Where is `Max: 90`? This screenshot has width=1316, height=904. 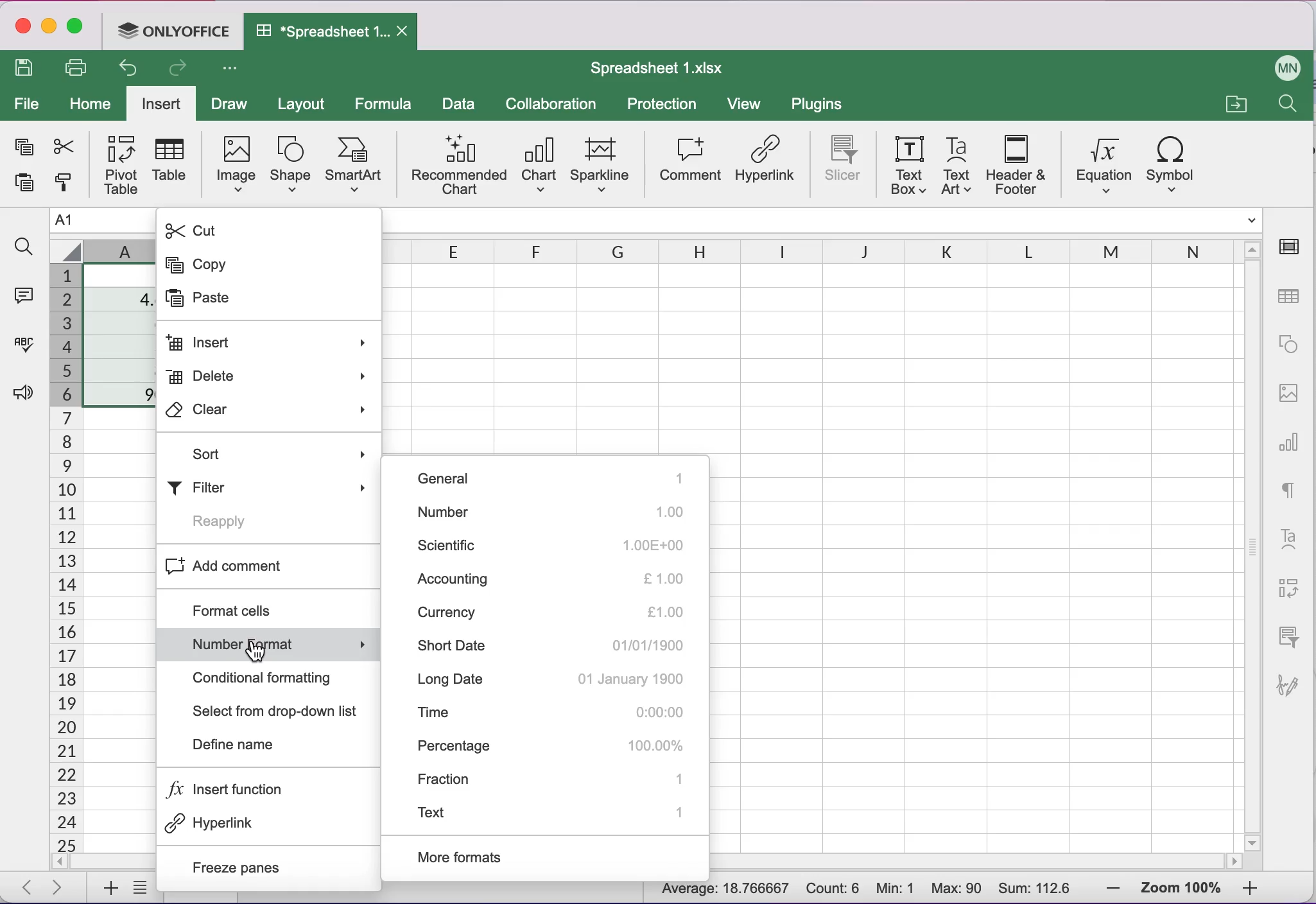 Max: 90 is located at coordinates (957, 887).